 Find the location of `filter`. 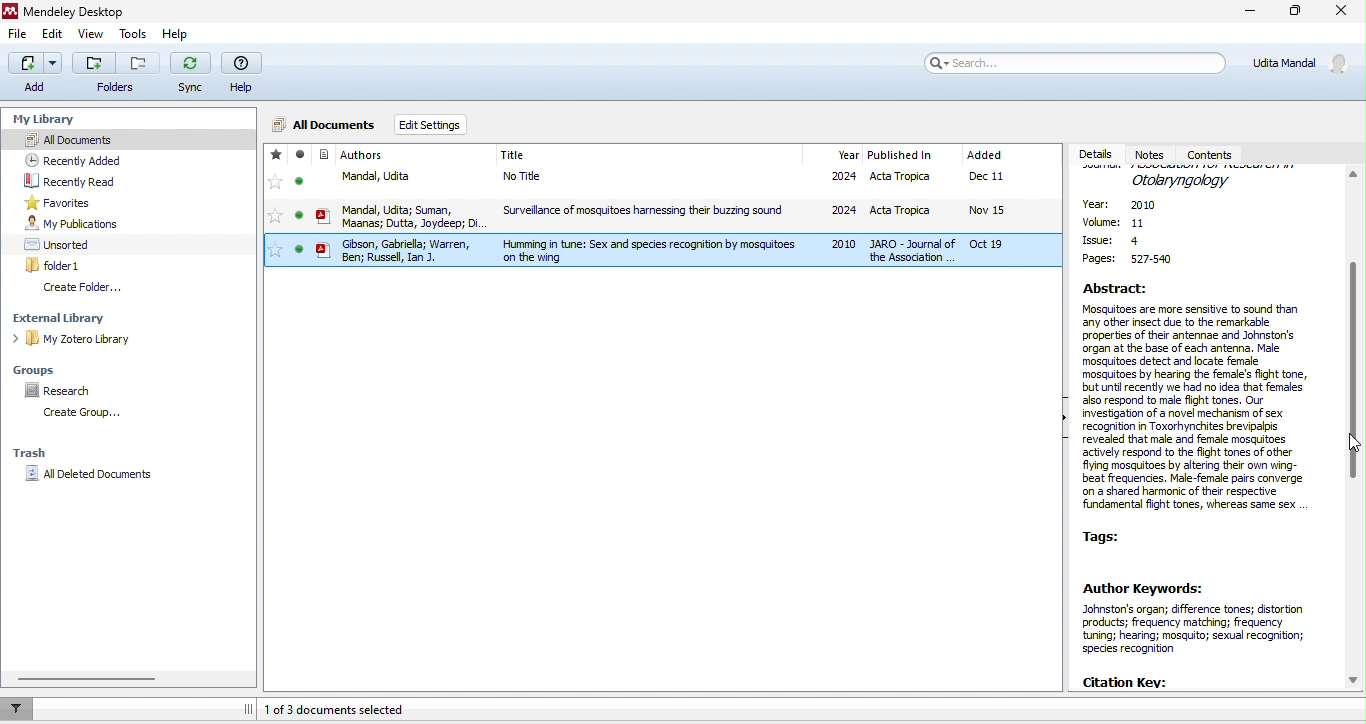

filter is located at coordinates (20, 708).